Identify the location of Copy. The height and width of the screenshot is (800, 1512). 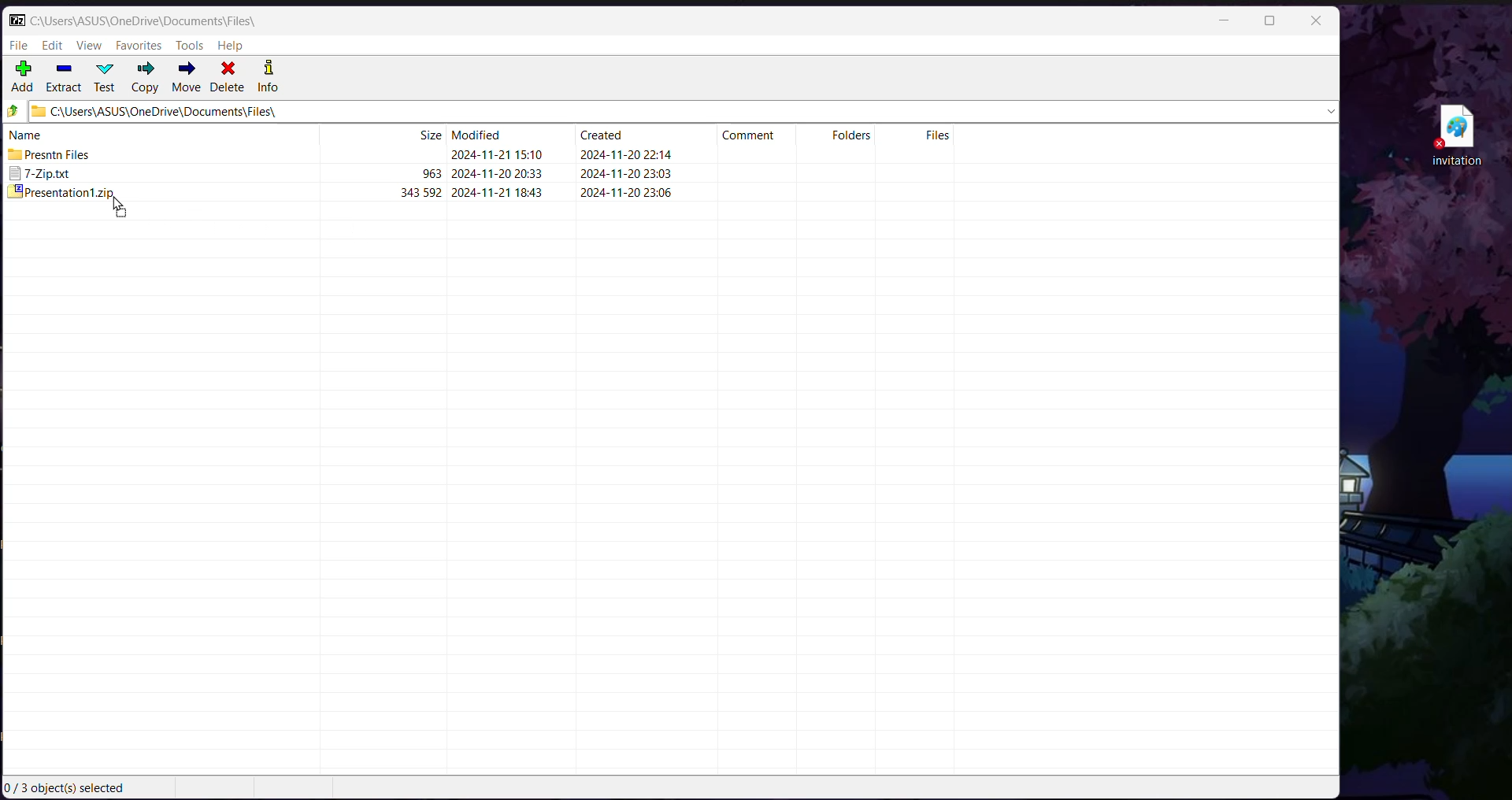
(145, 78).